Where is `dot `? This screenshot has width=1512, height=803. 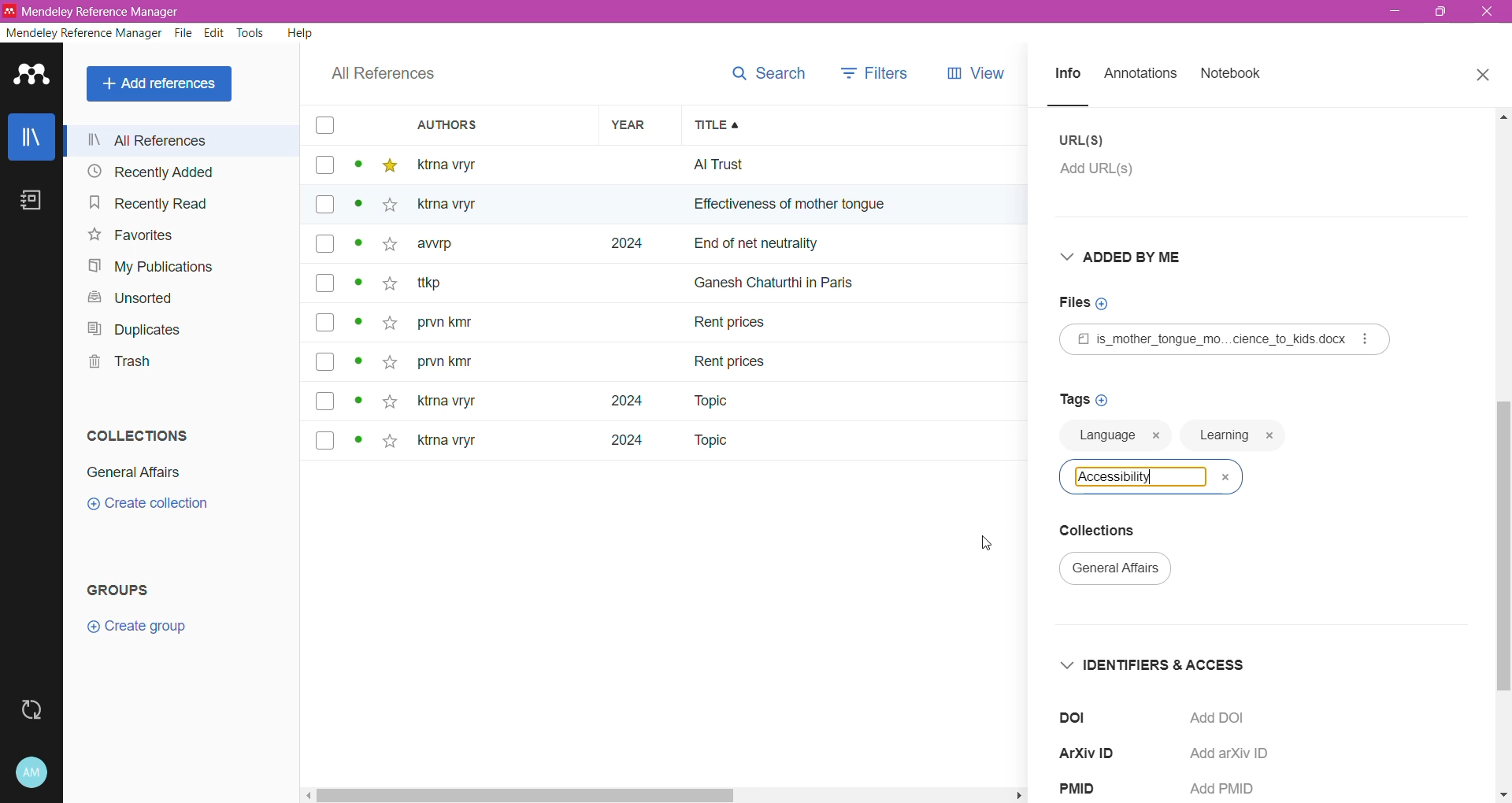
dot  is located at coordinates (354, 442).